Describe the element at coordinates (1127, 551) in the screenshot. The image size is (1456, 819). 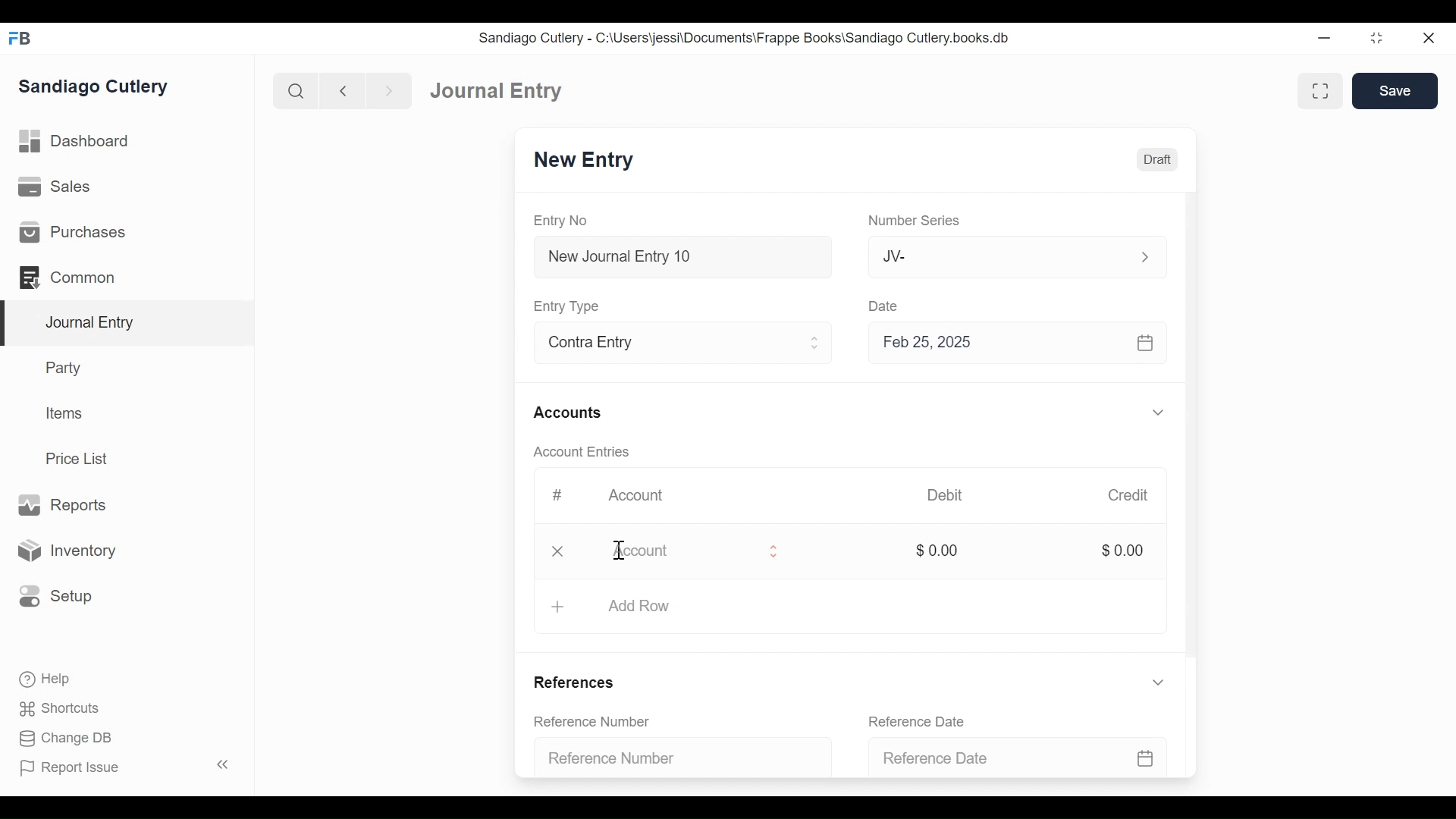
I see `$0.00` at that location.